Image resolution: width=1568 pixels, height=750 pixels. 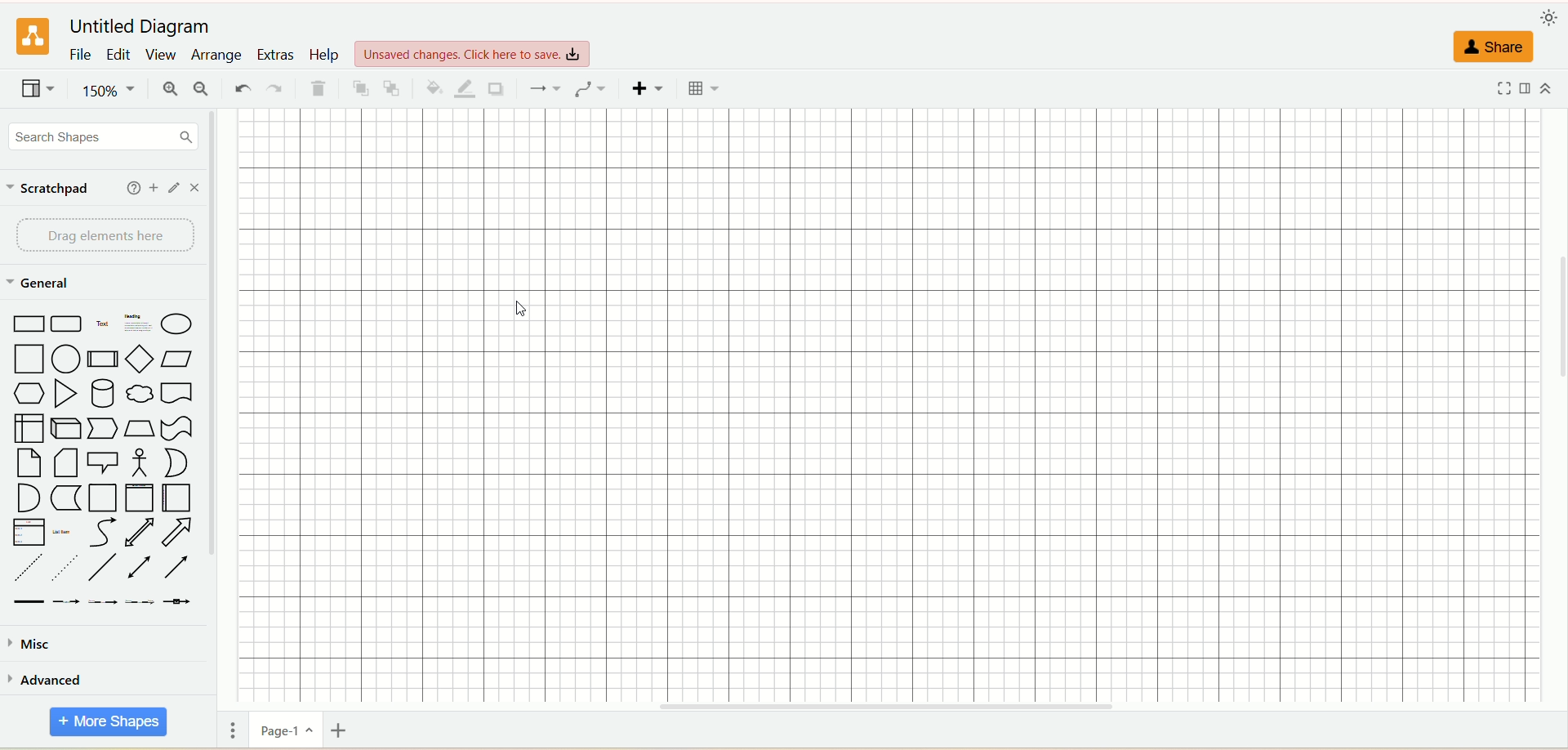 What do you see at coordinates (176, 392) in the screenshot?
I see `document` at bounding box center [176, 392].